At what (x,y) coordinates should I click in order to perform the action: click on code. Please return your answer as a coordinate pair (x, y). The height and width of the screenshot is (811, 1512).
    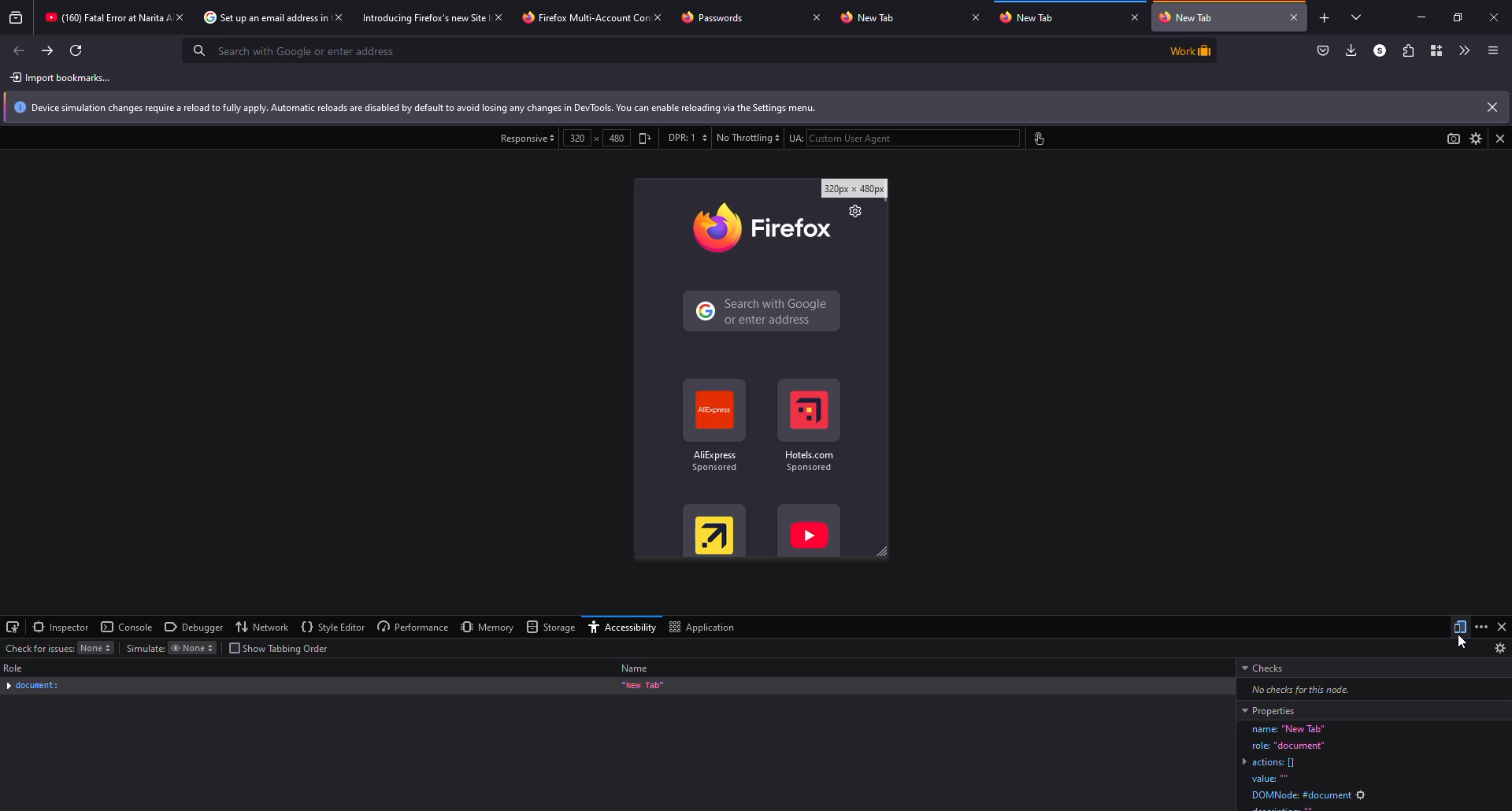
    Looking at the image, I should click on (1372, 766).